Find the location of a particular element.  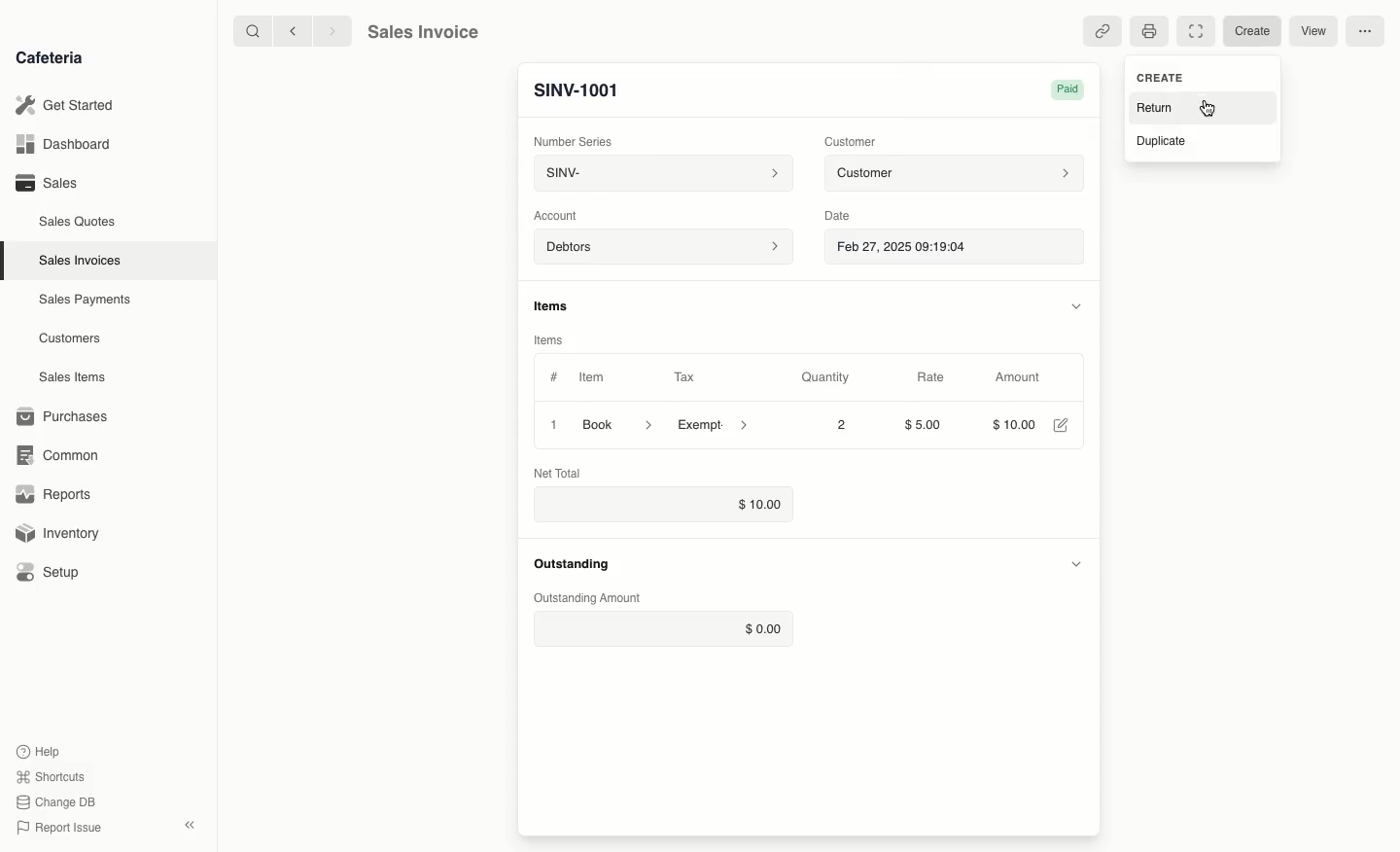

Sales Payments is located at coordinates (86, 301).